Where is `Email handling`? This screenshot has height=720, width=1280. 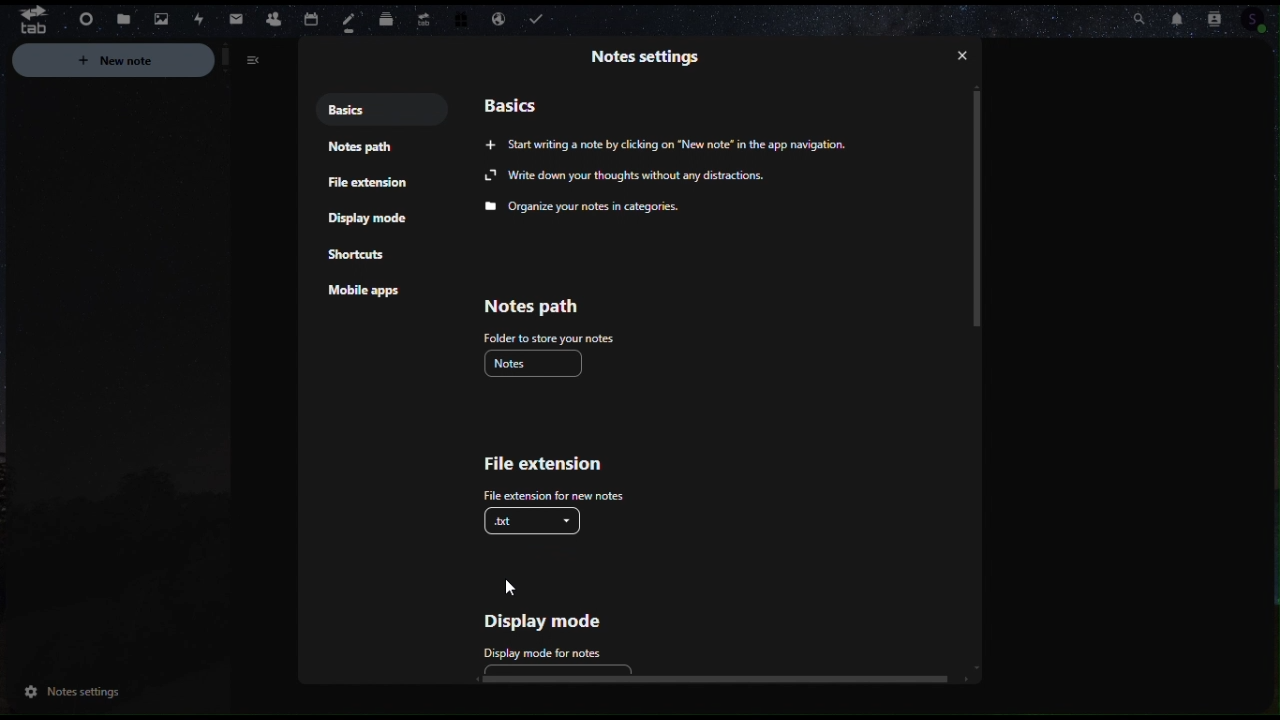 Email handling is located at coordinates (498, 20).